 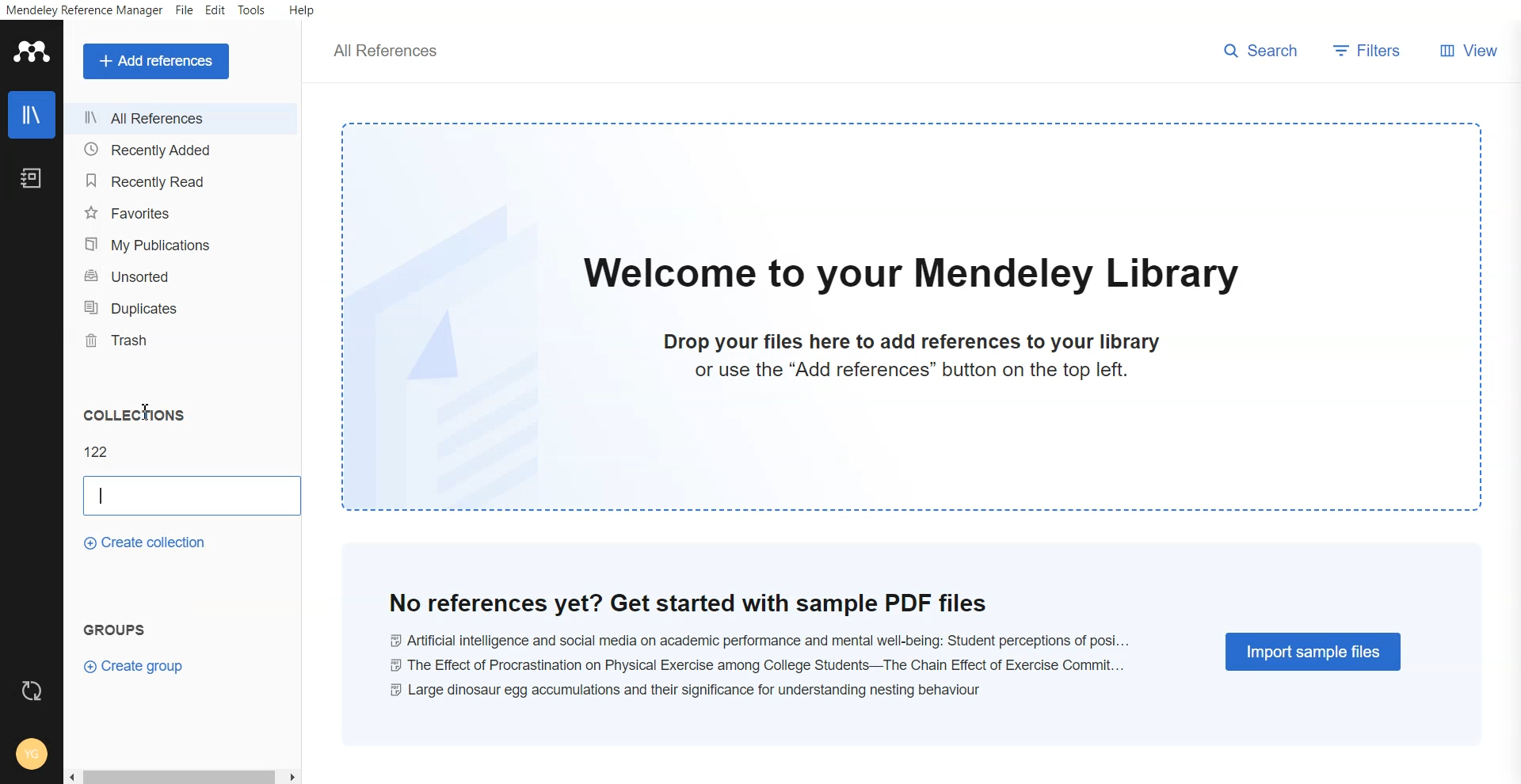 What do you see at coordinates (185, 339) in the screenshot?
I see `Trash` at bounding box center [185, 339].